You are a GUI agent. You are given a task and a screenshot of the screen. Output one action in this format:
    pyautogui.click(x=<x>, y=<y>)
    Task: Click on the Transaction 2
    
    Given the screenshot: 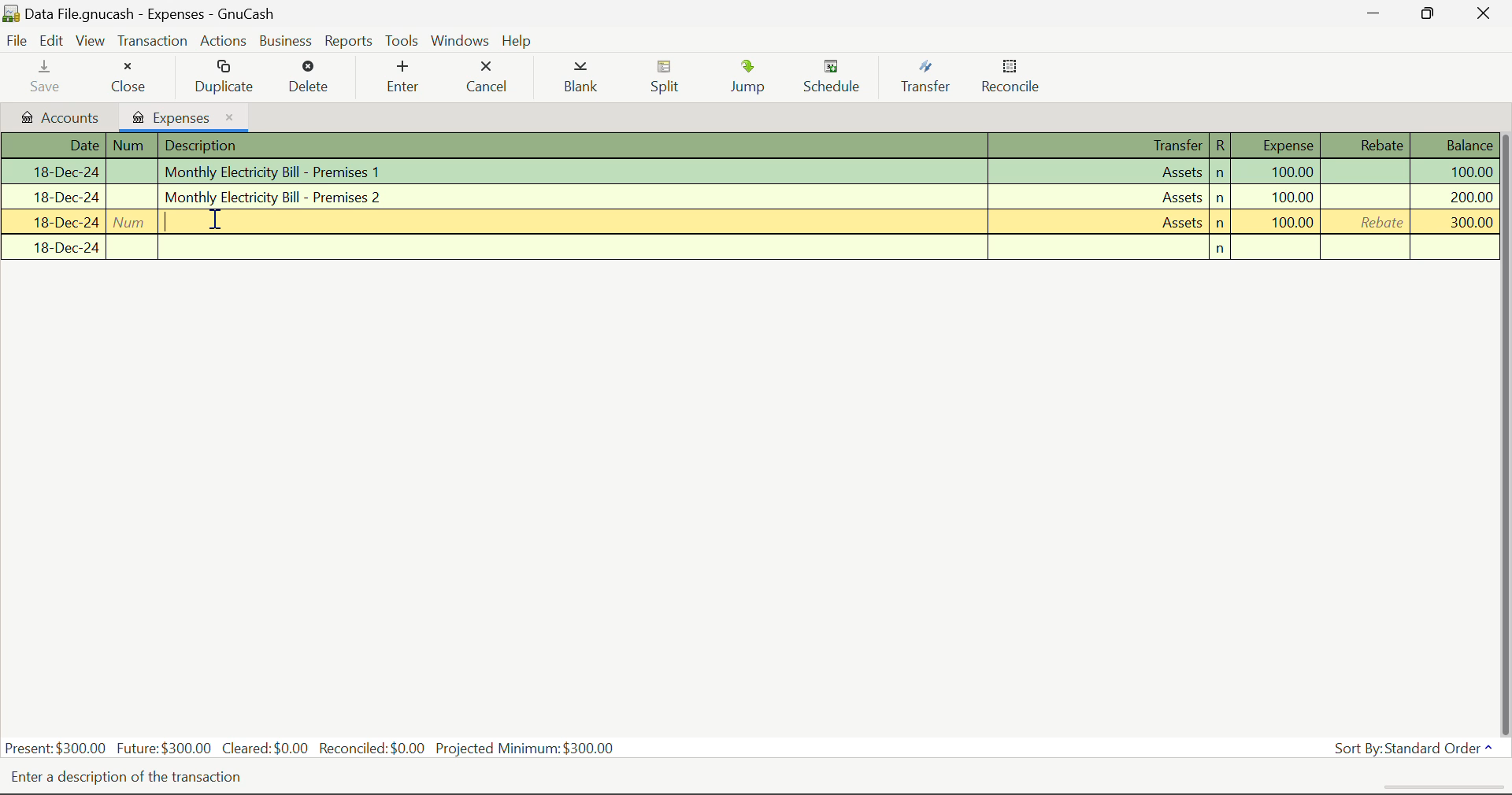 What is the action you would take?
    pyautogui.click(x=750, y=195)
    